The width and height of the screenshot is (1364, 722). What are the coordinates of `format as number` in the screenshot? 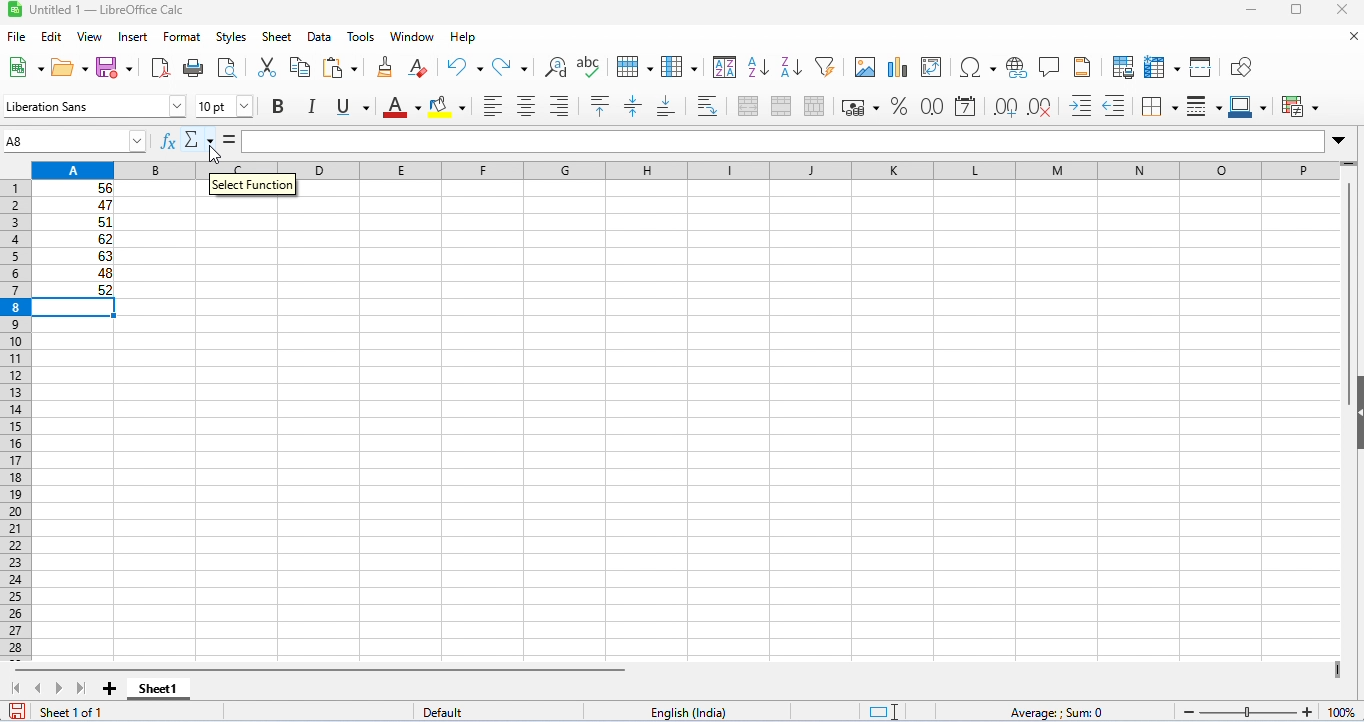 It's located at (930, 106).